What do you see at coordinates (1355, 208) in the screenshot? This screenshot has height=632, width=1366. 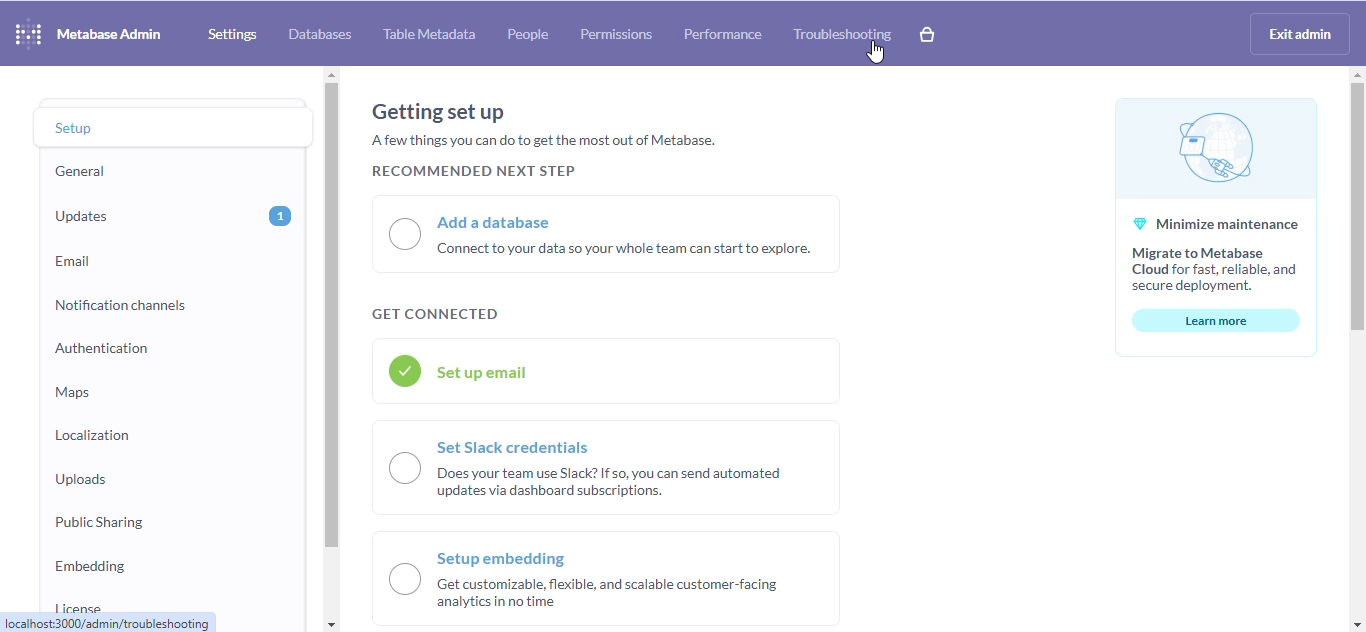 I see `vertical scroll bar` at bounding box center [1355, 208].